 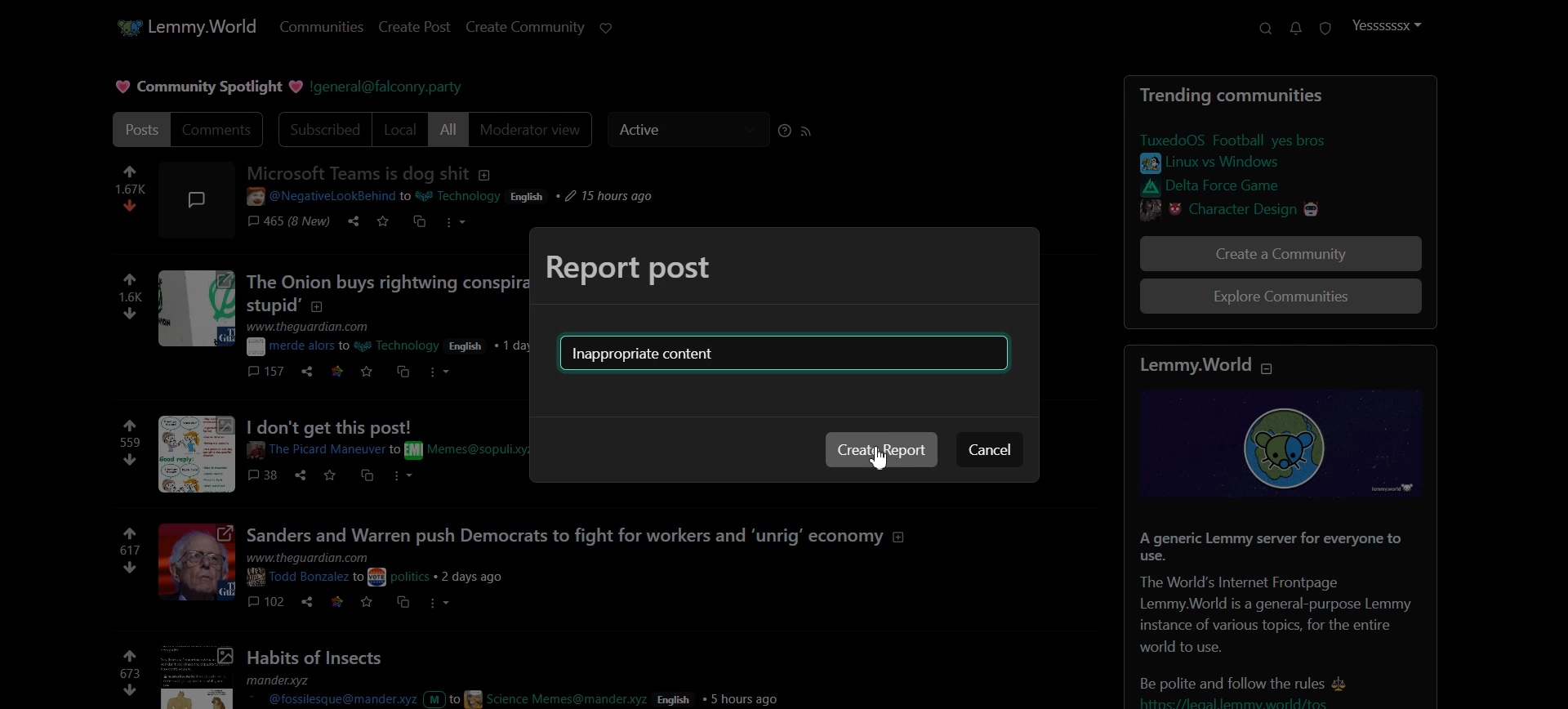 What do you see at coordinates (784, 130) in the screenshot?
I see `Sorting Help ` at bounding box center [784, 130].